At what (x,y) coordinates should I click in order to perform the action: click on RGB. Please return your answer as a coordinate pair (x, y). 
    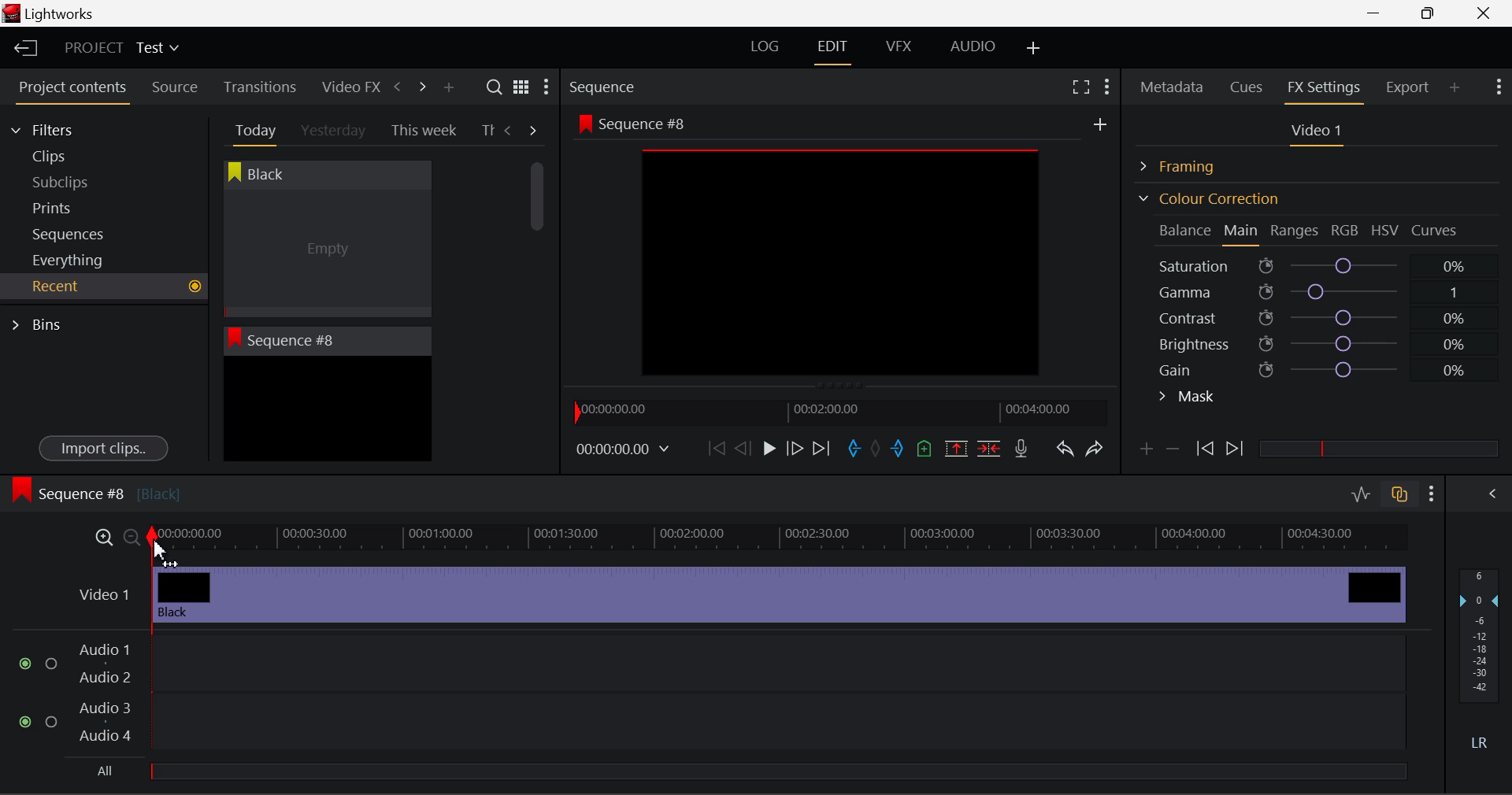
    Looking at the image, I should click on (1346, 231).